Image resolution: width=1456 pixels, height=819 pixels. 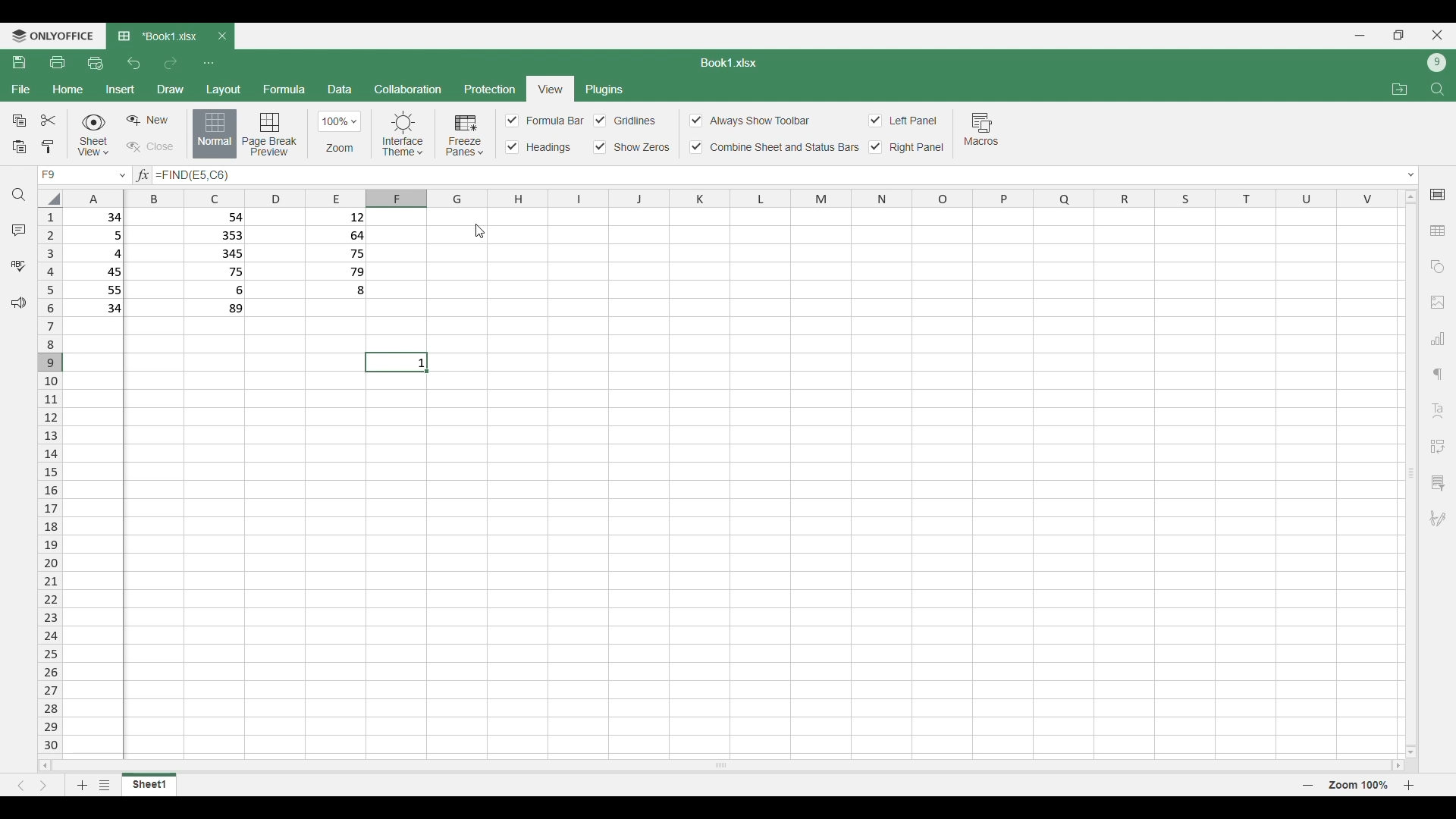 What do you see at coordinates (729, 62) in the screenshot?
I see `Sheet name` at bounding box center [729, 62].